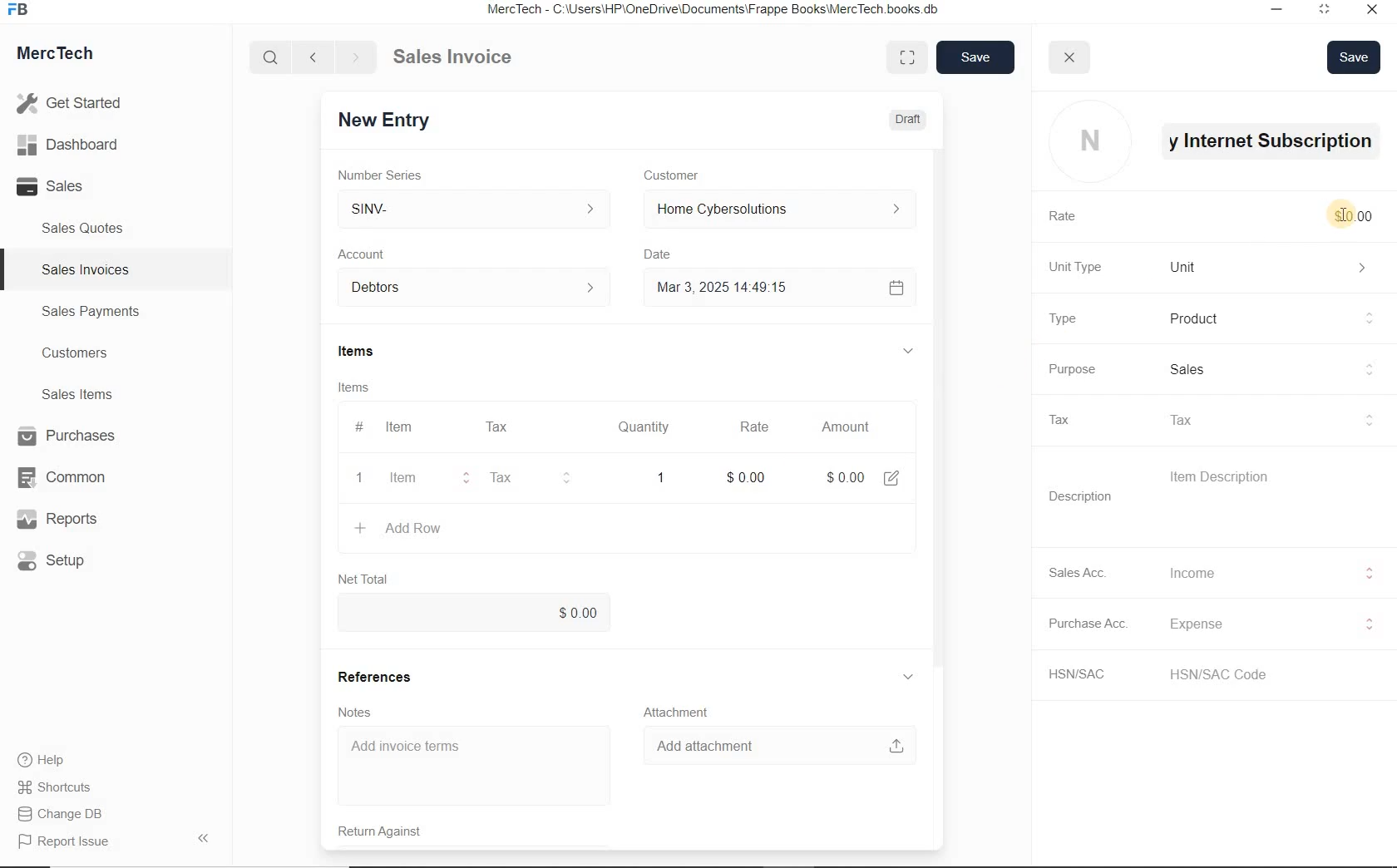 The width and height of the screenshot is (1397, 868). I want to click on Report Issue, so click(67, 842).